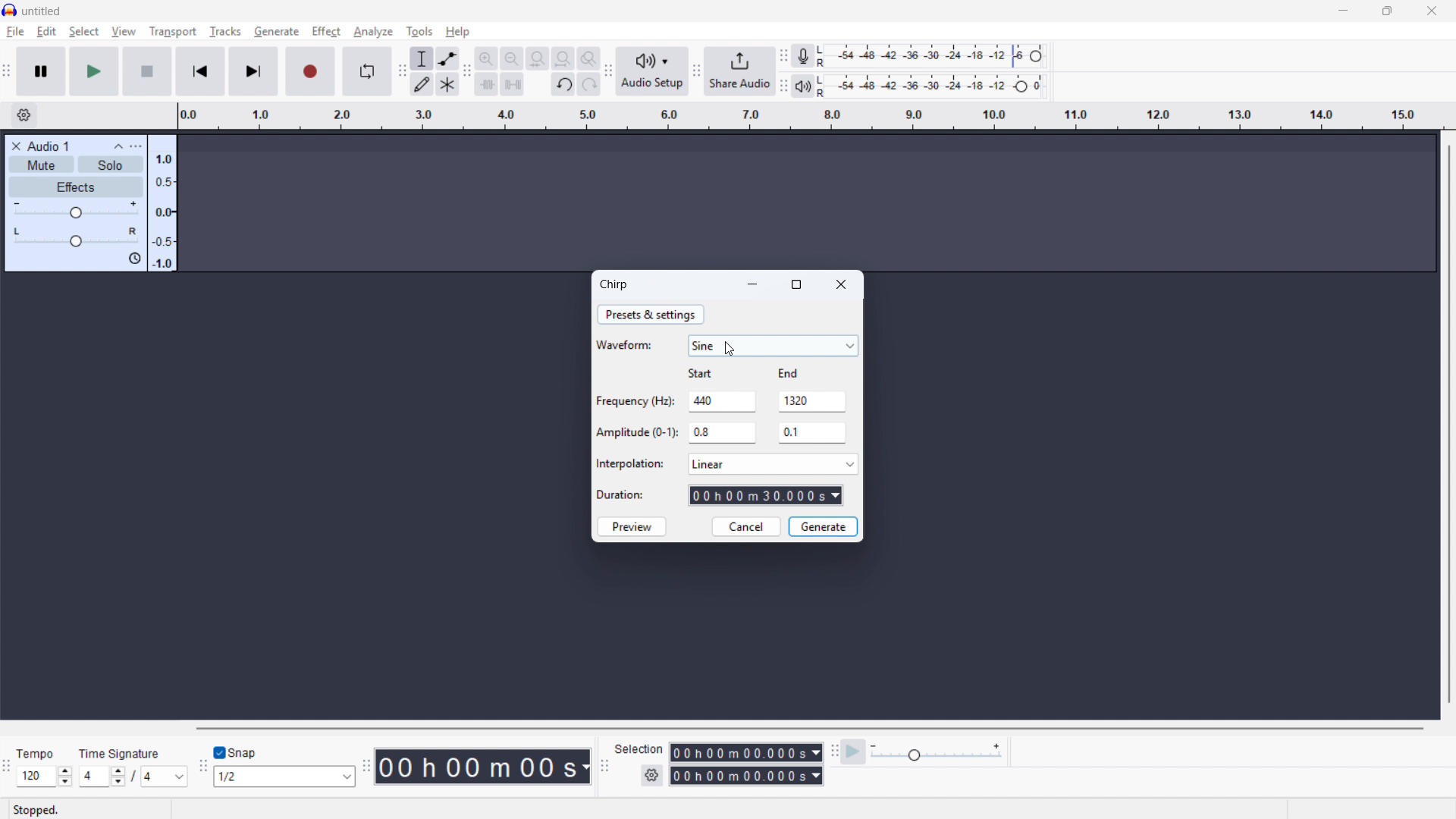  Describe the element at coordinates (641, 750) in the screenshot. I see `Selection` at that location.